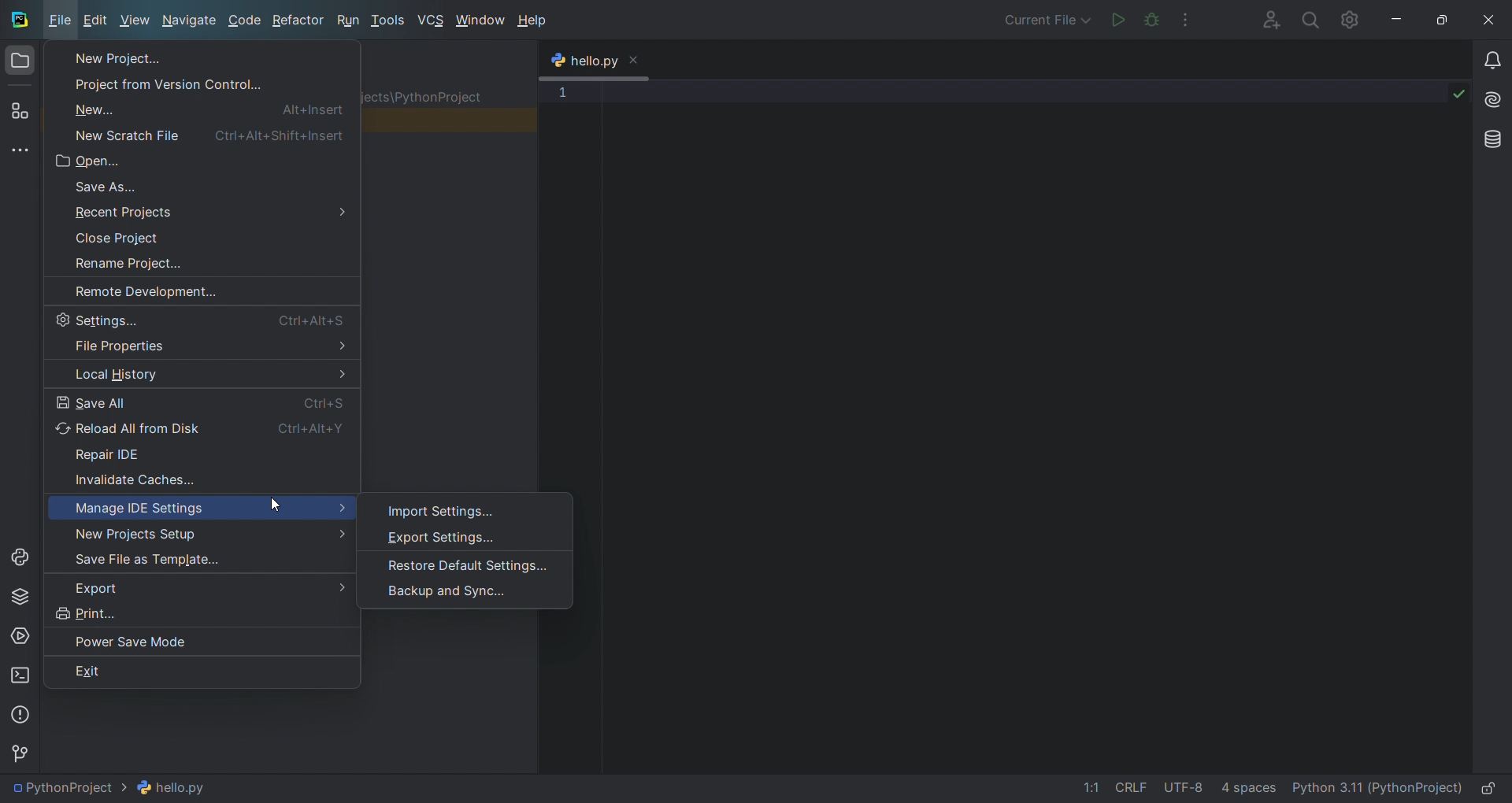 This screenshot has height=803, width=1512. Describe the element at coordinates (451, 564) in the screenshot. I see `restore default settings` at that location.